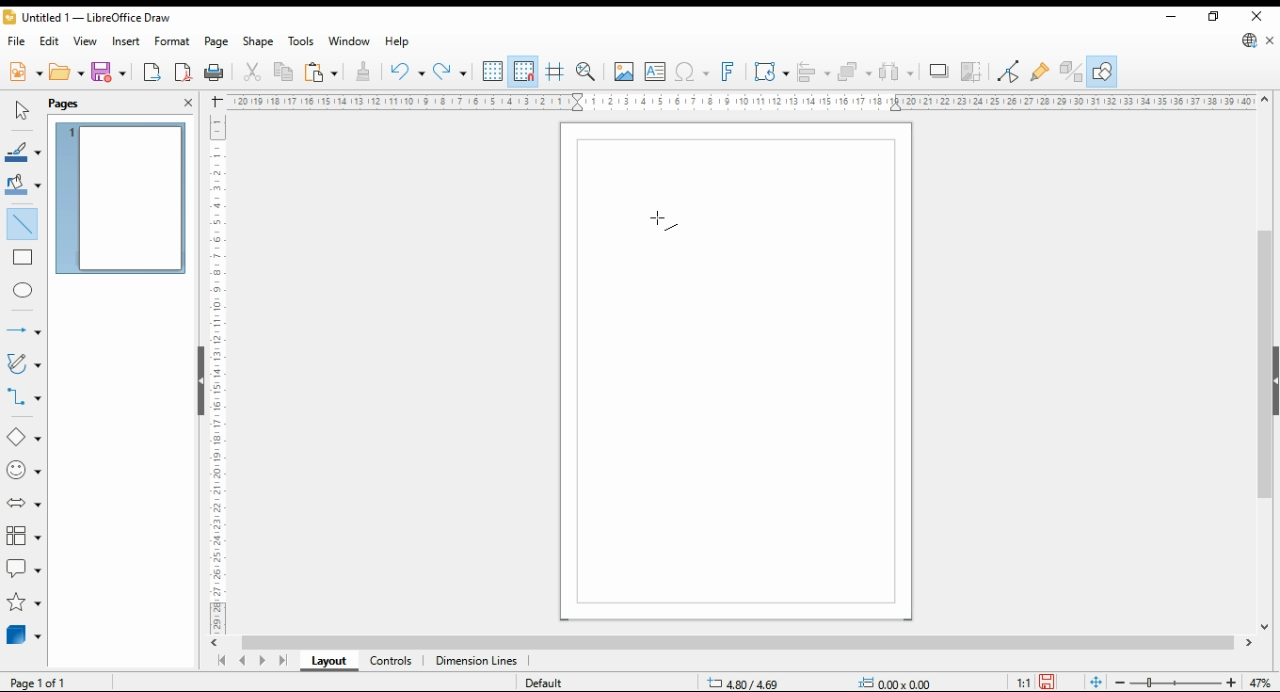  I want to click on basic shapes, so click(22, 437).